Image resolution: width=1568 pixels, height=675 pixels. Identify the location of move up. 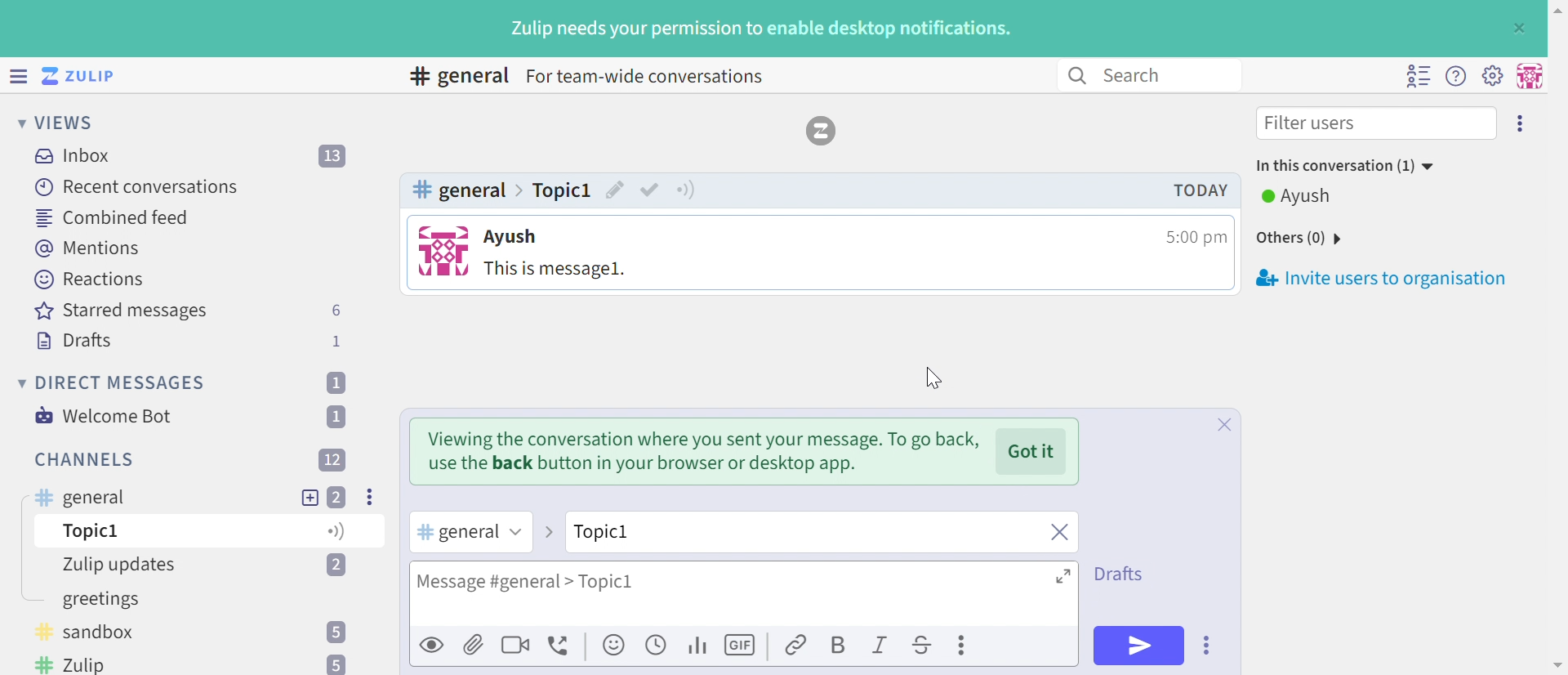
(1557, 8).